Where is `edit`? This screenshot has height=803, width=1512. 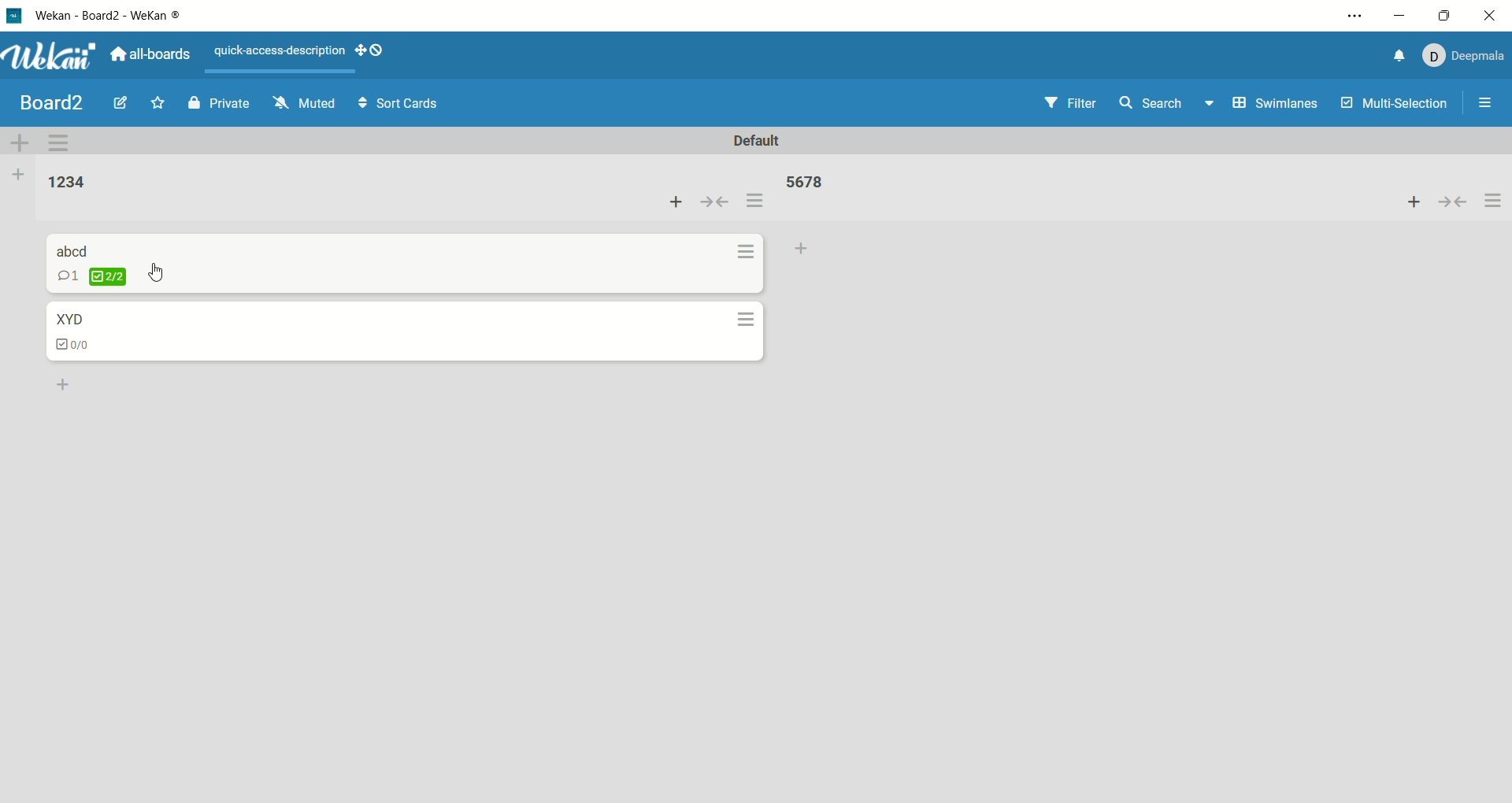
edit is located at coordinates (114, 103).